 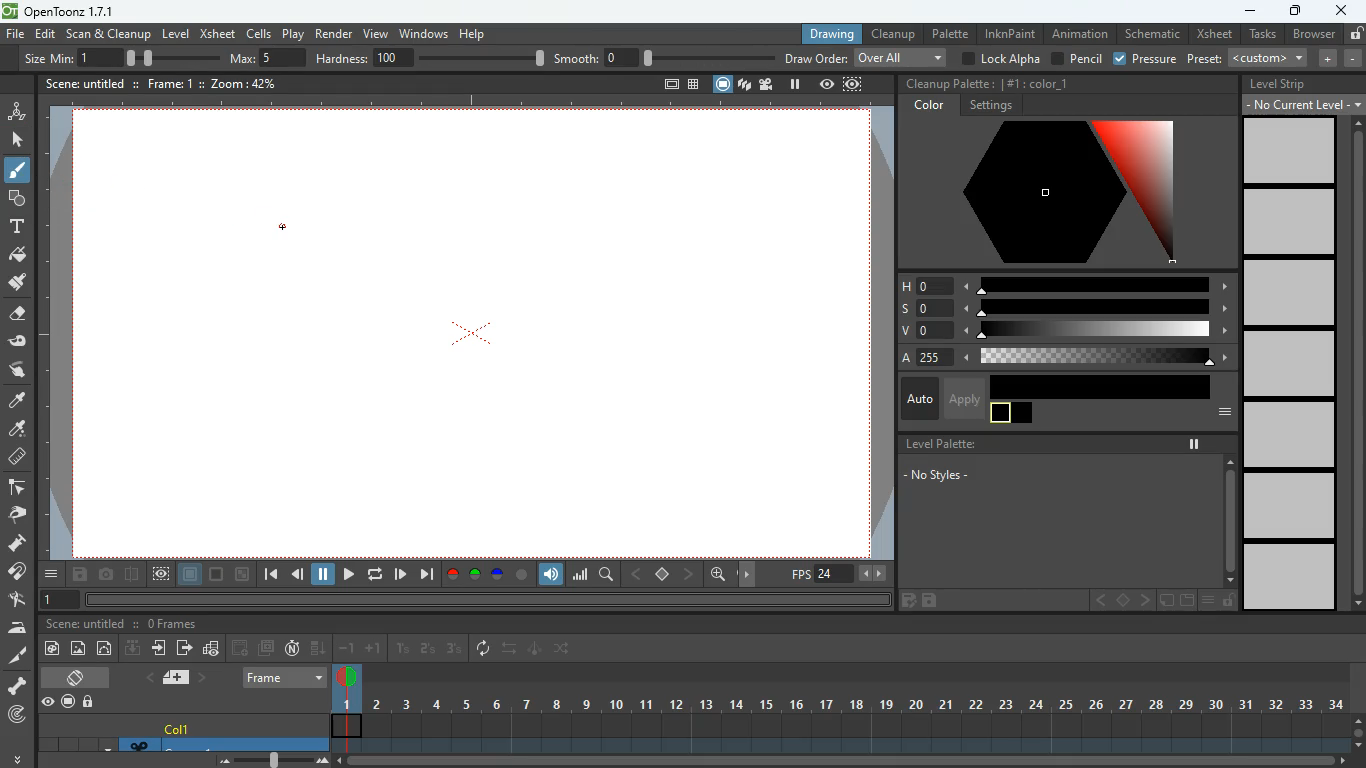 What do you see at coordinates (866, 57) in the screenshot?
I see `draw order` at bounding box center [866, 57].